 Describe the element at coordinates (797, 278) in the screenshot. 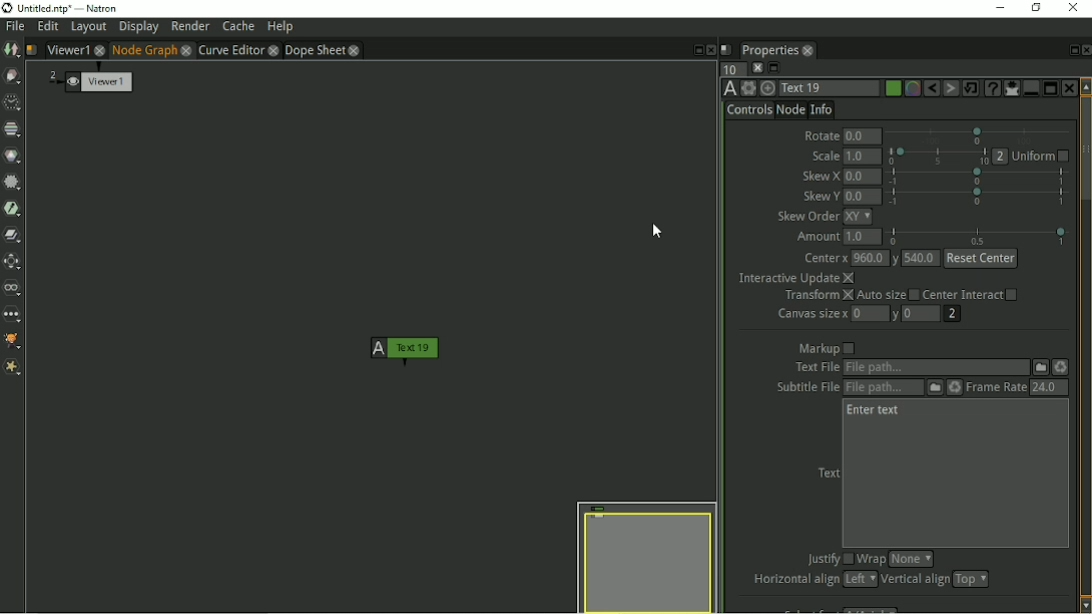

I see `Interactive Update` at that location.